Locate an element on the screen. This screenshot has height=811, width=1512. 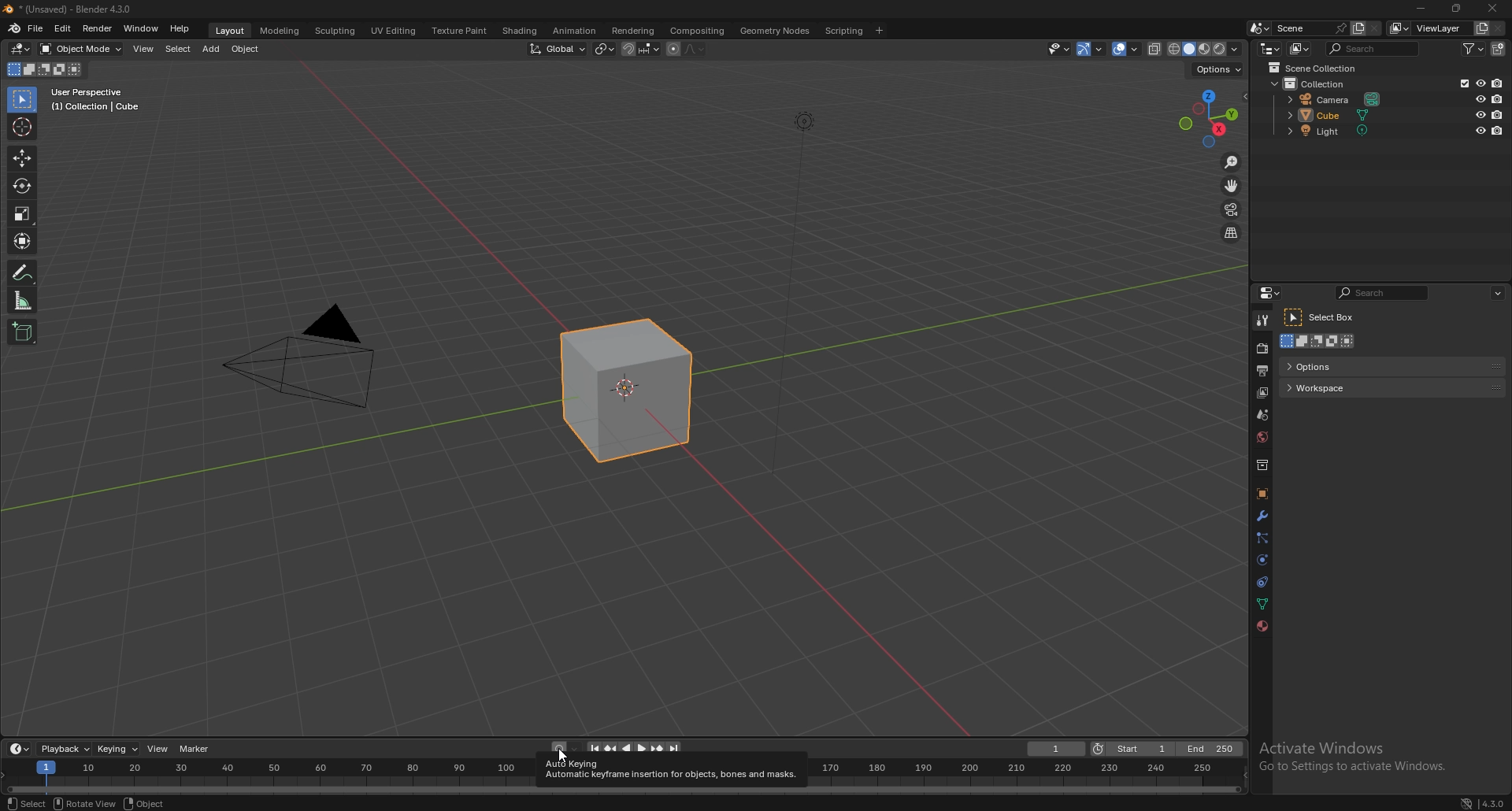
cube is located at coordinates (1339, 114).